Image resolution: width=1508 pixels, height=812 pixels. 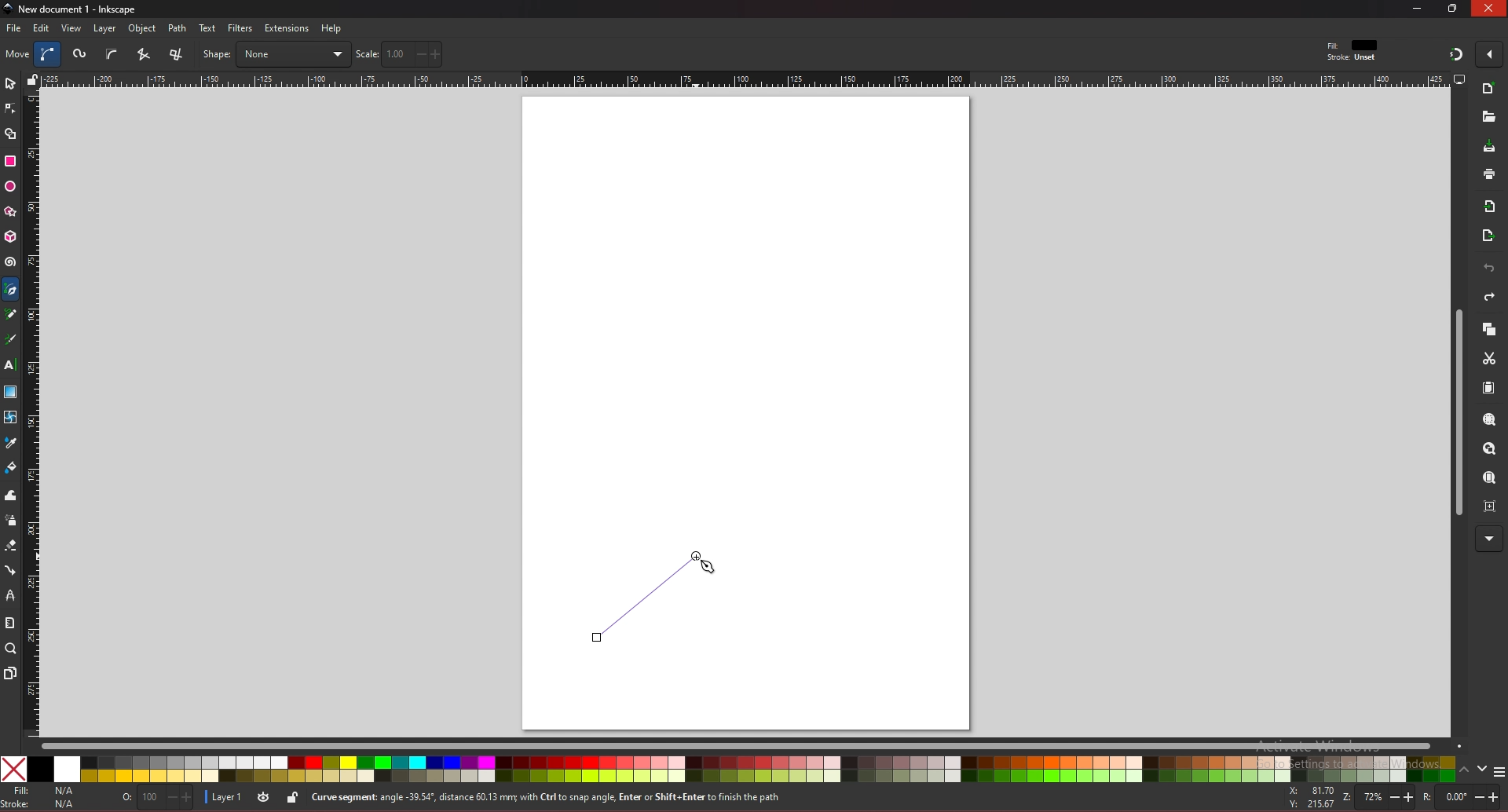 What do you see at coordinates (1489, 90) in the screenshot?
I see `new` at bounding box center [1489, 90].